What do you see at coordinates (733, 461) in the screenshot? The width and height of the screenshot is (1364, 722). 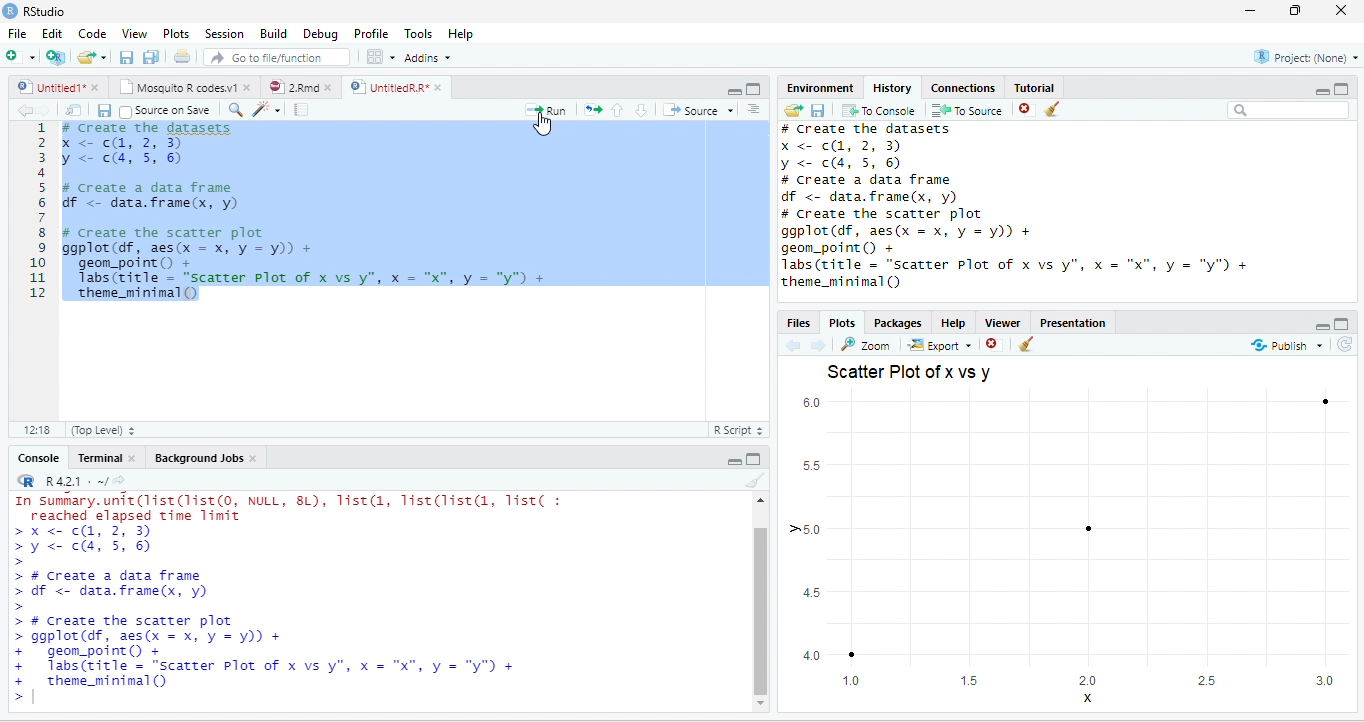 I see `Minimize` at bounding box center [733, 461].